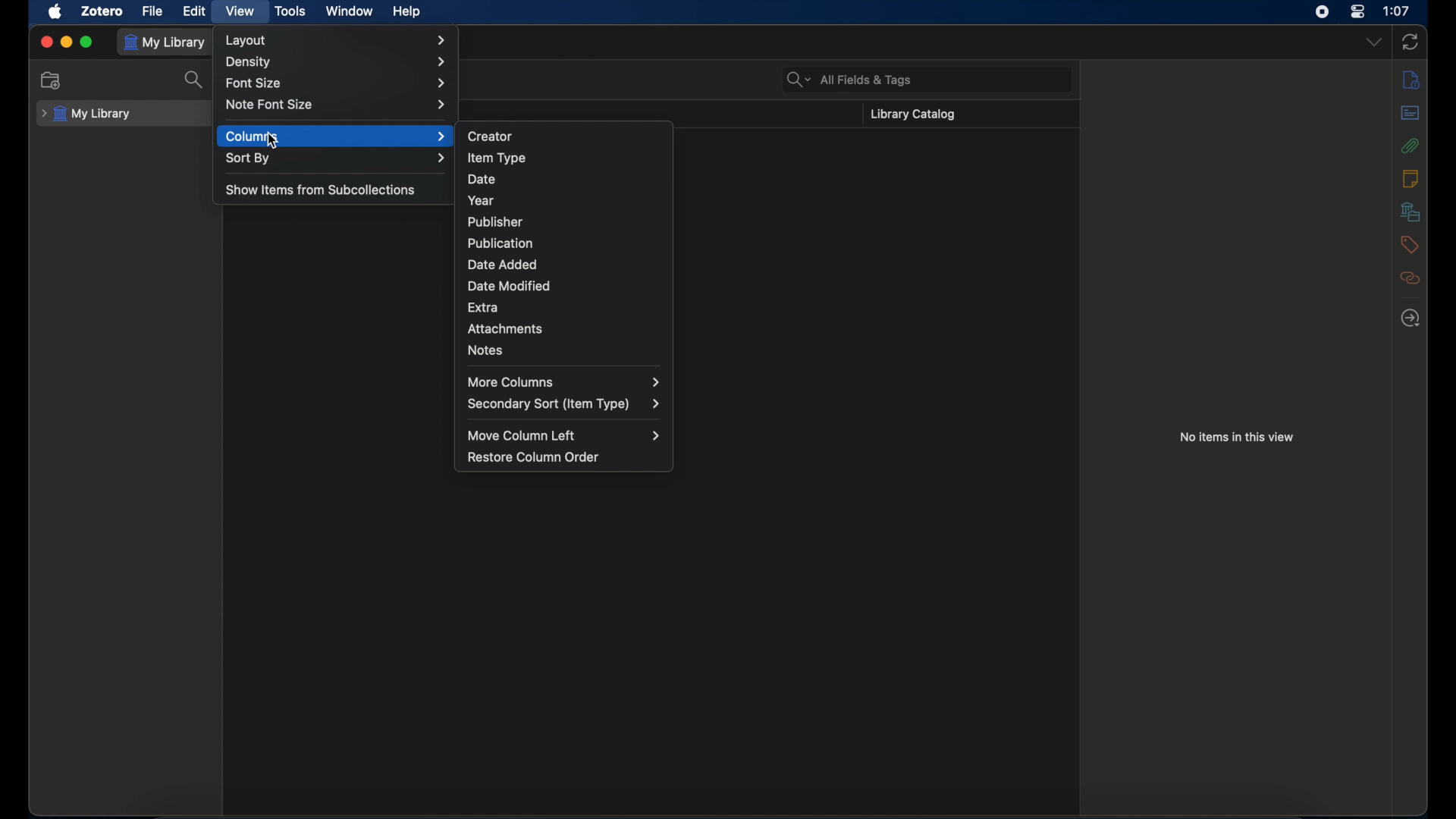 This screenshot has width=1456, height=819. I want to click on note font size, so click(337, 104).